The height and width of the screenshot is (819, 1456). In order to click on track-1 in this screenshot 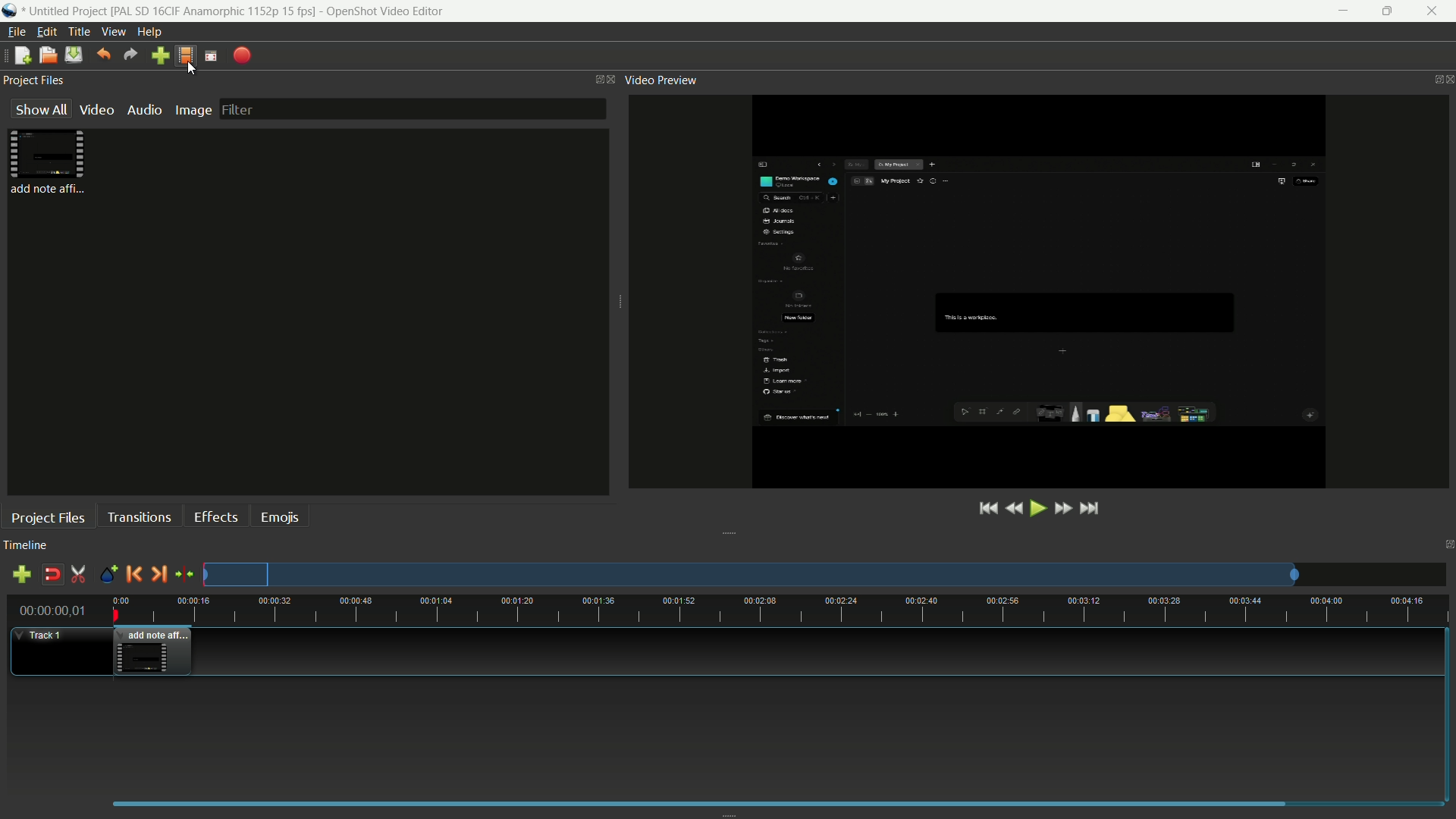, I will do `click(44, 635)`.